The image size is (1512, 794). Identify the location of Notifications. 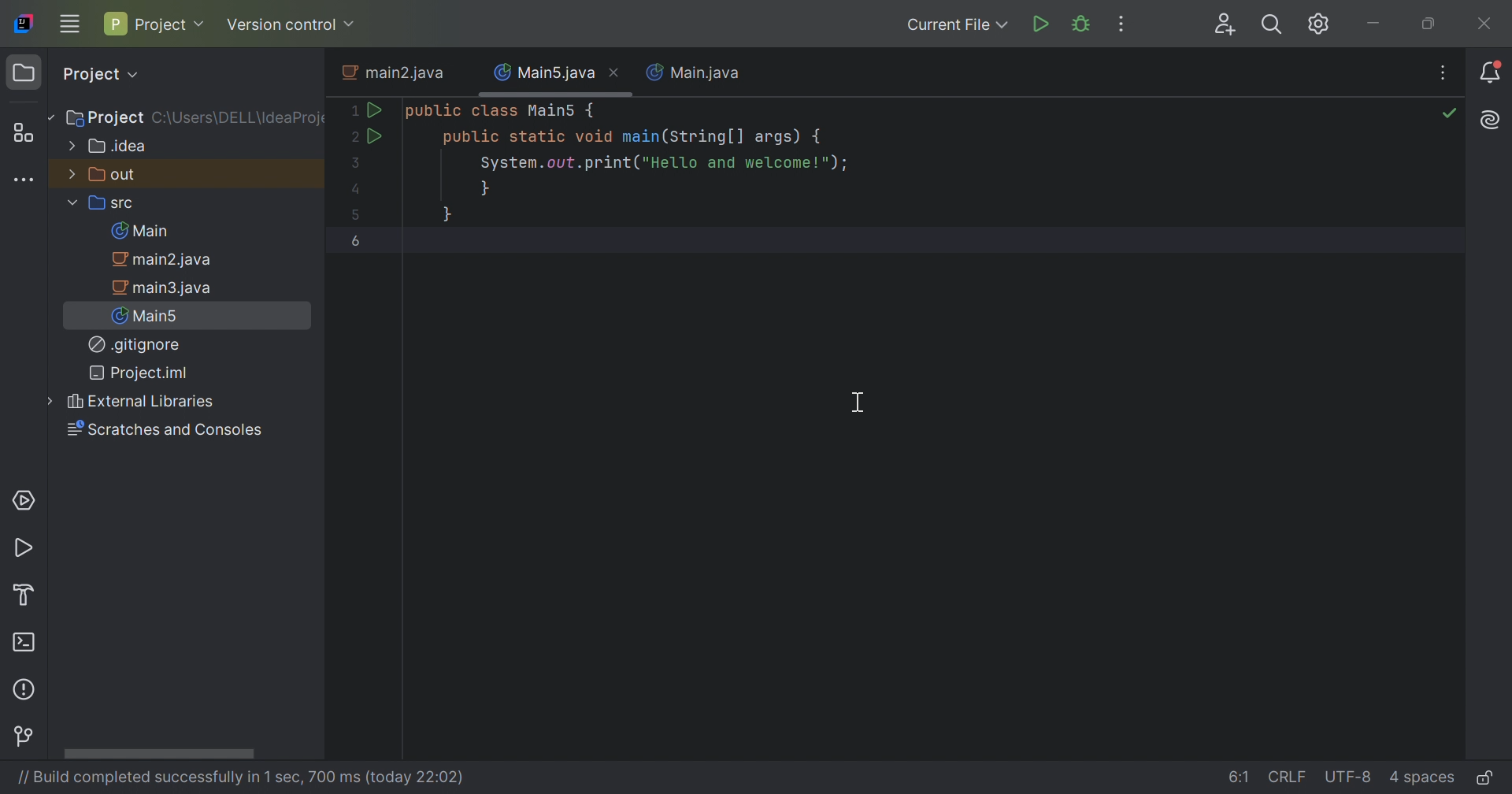
(1494, 74).